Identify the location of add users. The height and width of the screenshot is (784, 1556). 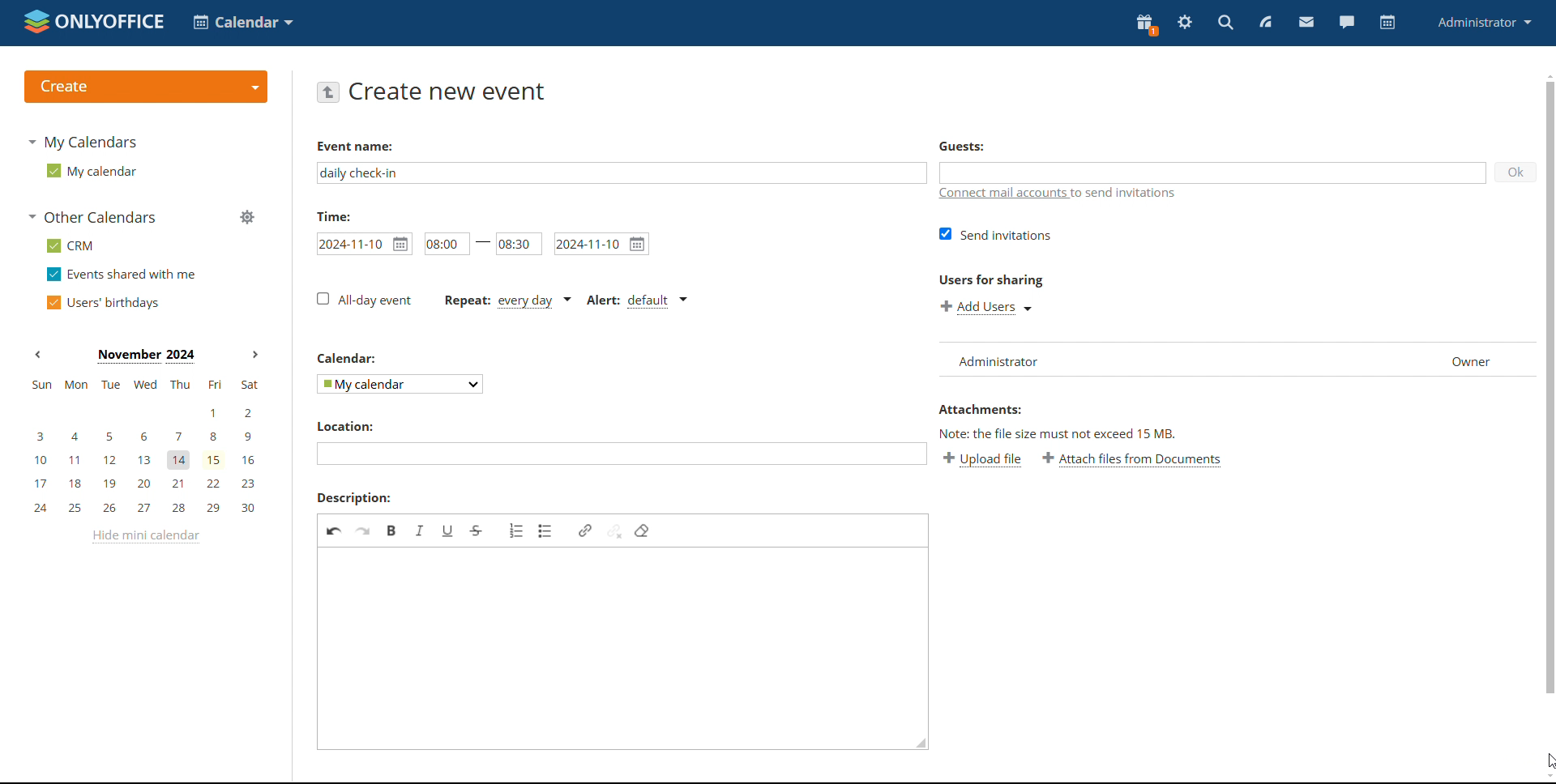
(987, 308).